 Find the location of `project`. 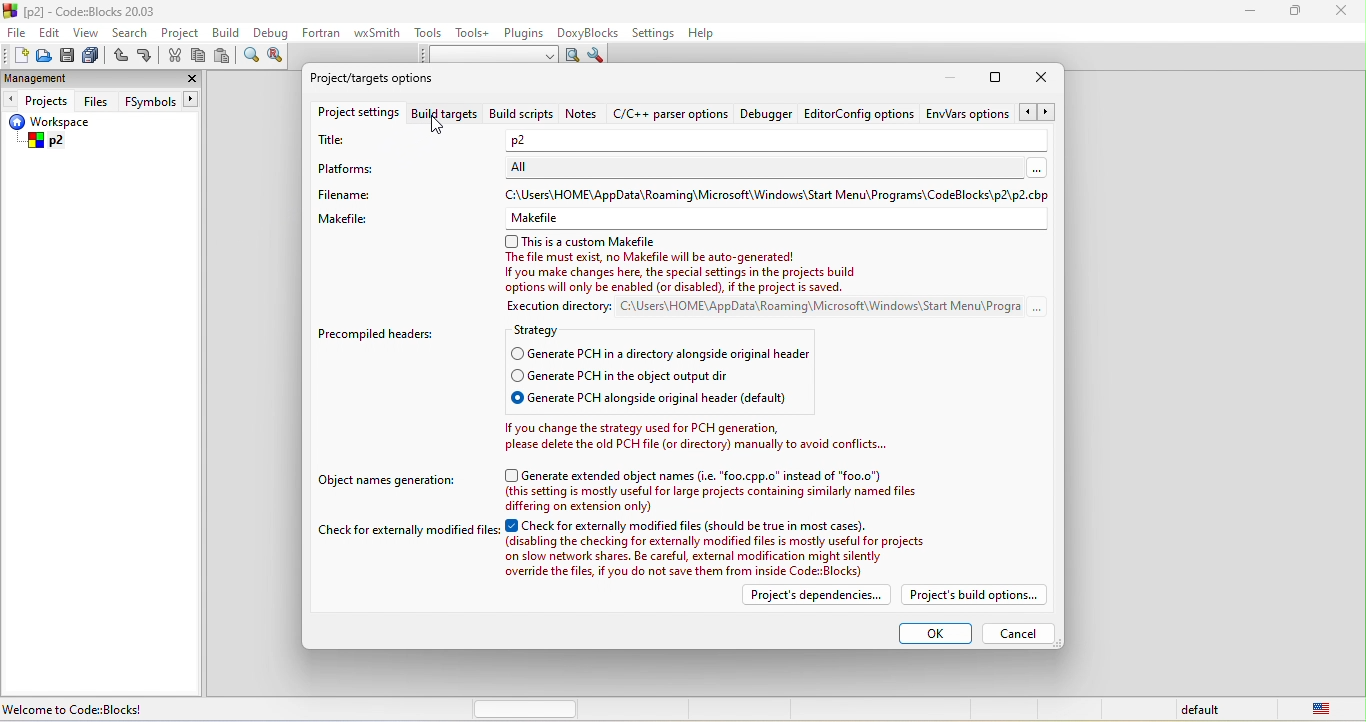

project is located at coordinates (184, 33).